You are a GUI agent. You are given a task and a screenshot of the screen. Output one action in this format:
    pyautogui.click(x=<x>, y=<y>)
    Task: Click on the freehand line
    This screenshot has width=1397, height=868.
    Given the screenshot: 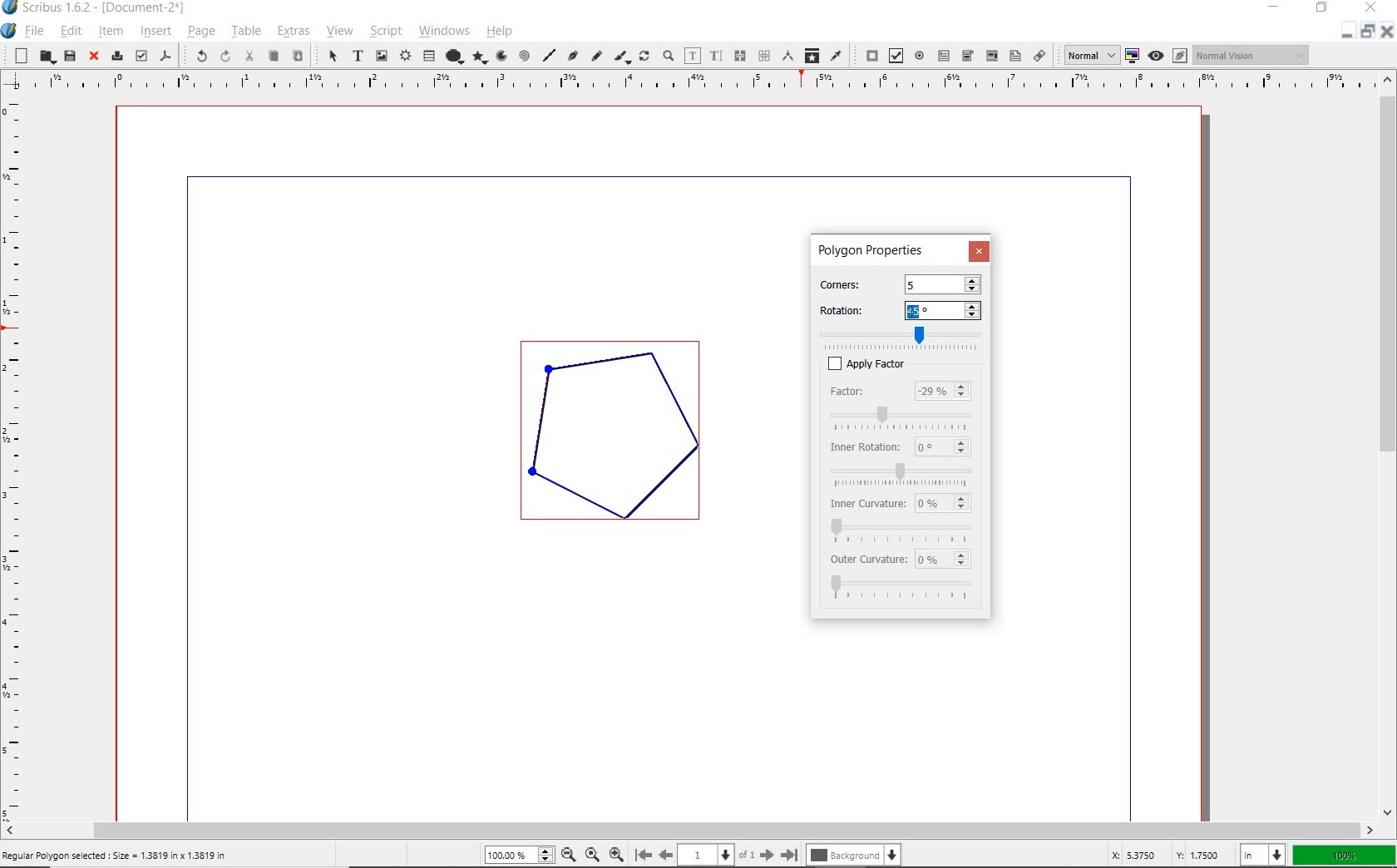 What is the action you would take?
    pyautogui.click(x=596, y=57)
    